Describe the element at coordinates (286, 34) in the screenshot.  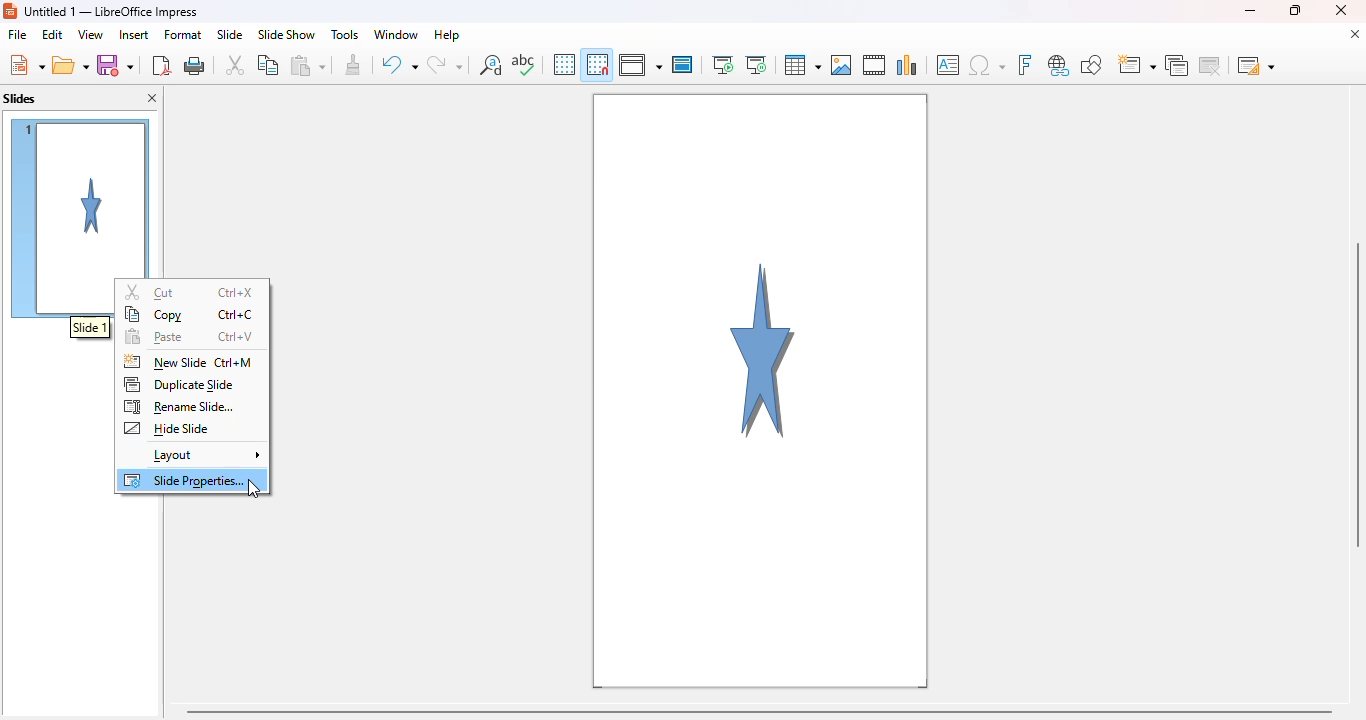
I see `slide show` at that location.